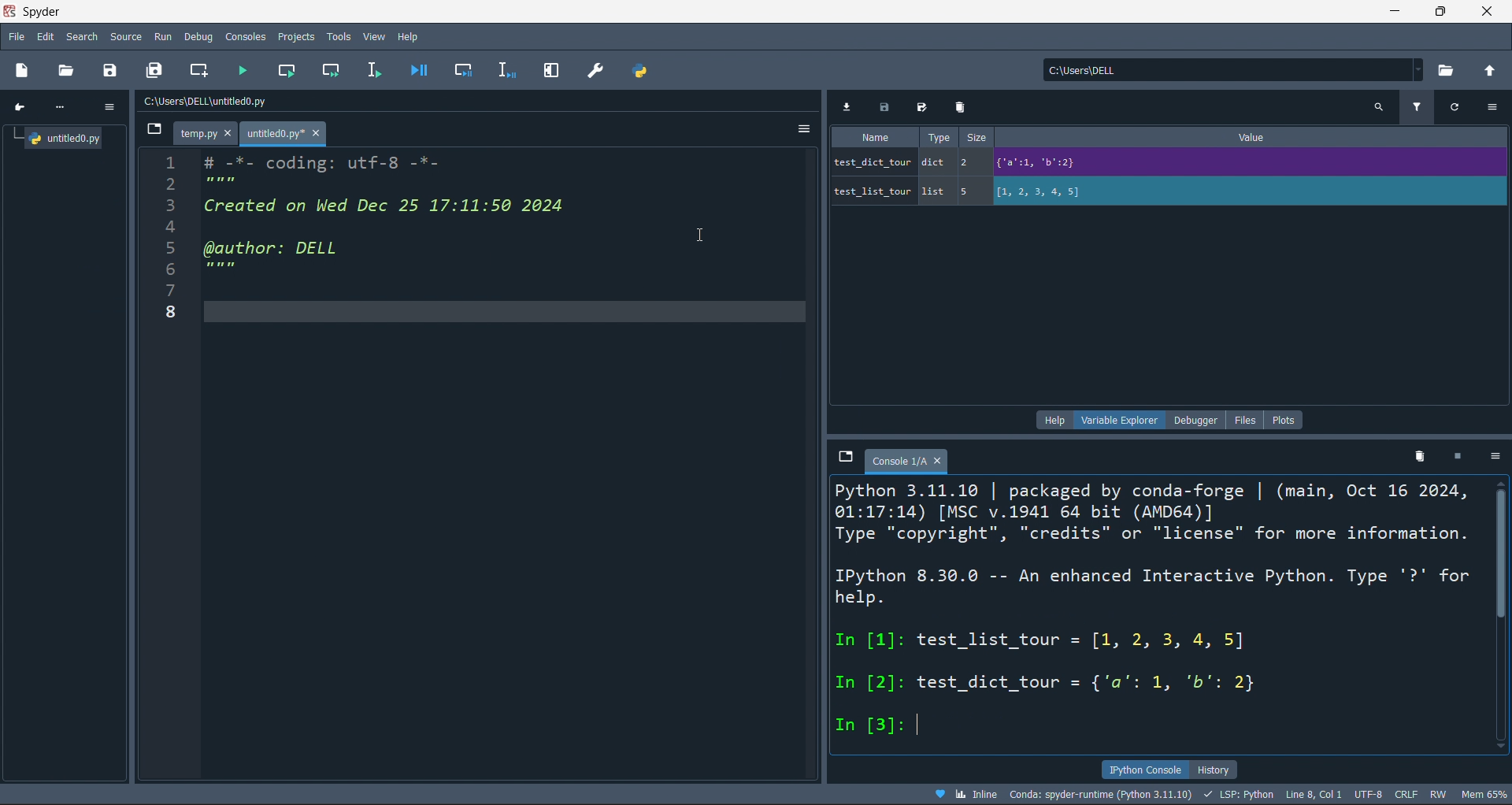 Image resolution: width=1512 pixels, height=805 pixels. What do you see at coordinates (1228, 70) in the screenshot?
I see `current directory` at bounding box center [1228, 70].